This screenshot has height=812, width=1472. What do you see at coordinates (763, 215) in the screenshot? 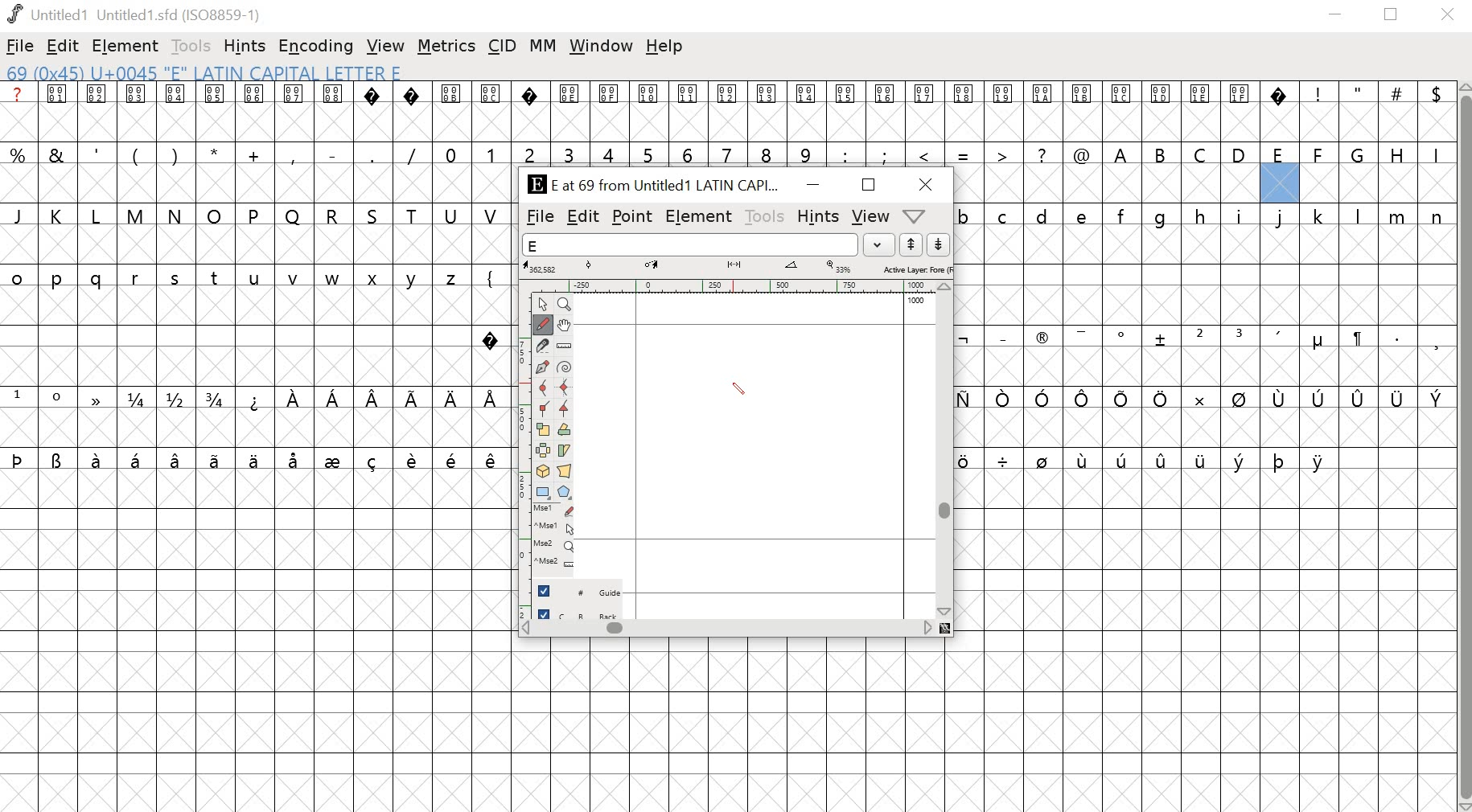
I see `tools` at bounding box center [763, 215].